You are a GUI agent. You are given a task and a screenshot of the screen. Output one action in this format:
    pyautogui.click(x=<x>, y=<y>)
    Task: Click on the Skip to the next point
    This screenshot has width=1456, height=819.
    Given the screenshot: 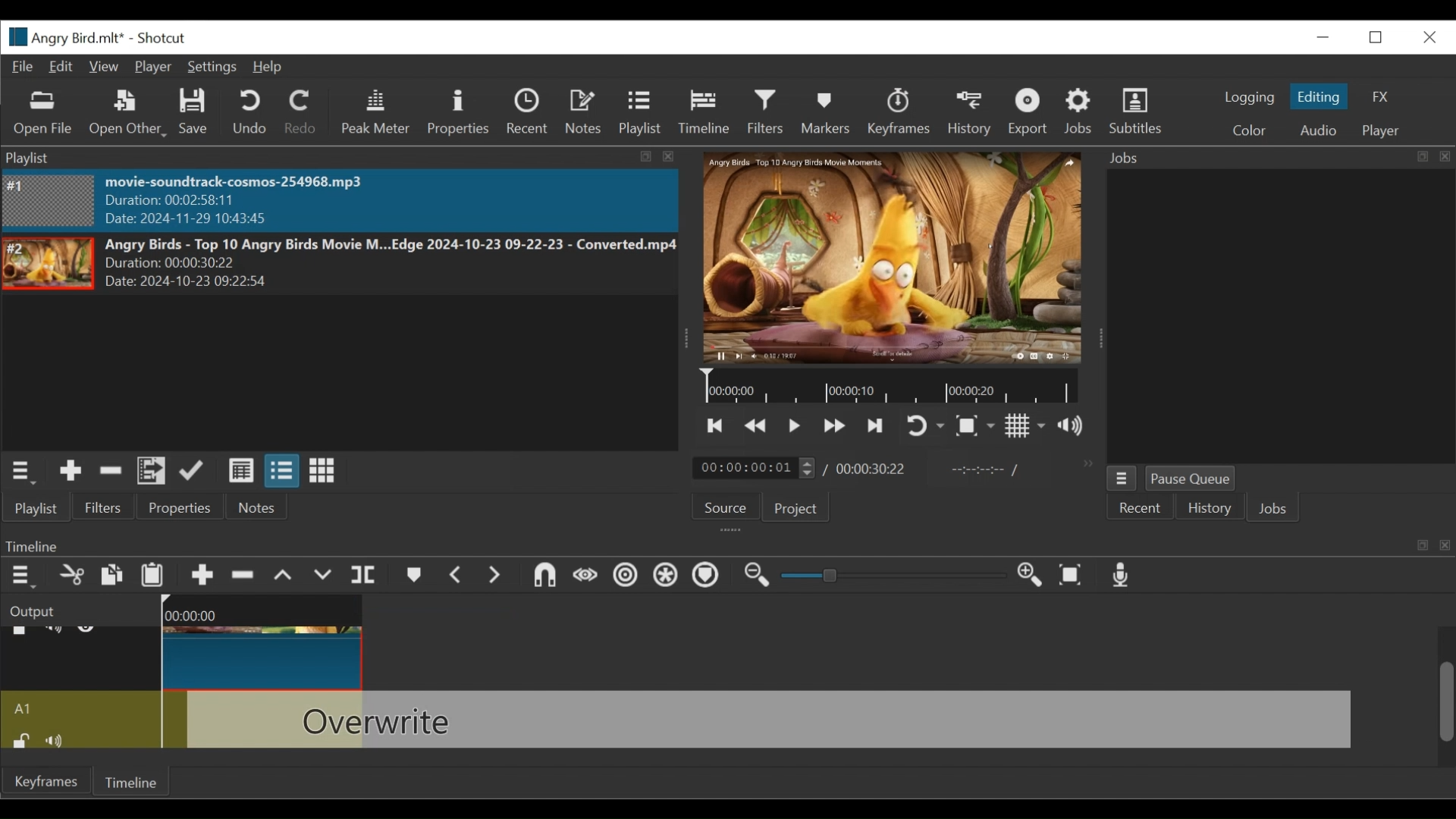 What is the action you would take?
    pyautogui.click(x=717, y=426)
    